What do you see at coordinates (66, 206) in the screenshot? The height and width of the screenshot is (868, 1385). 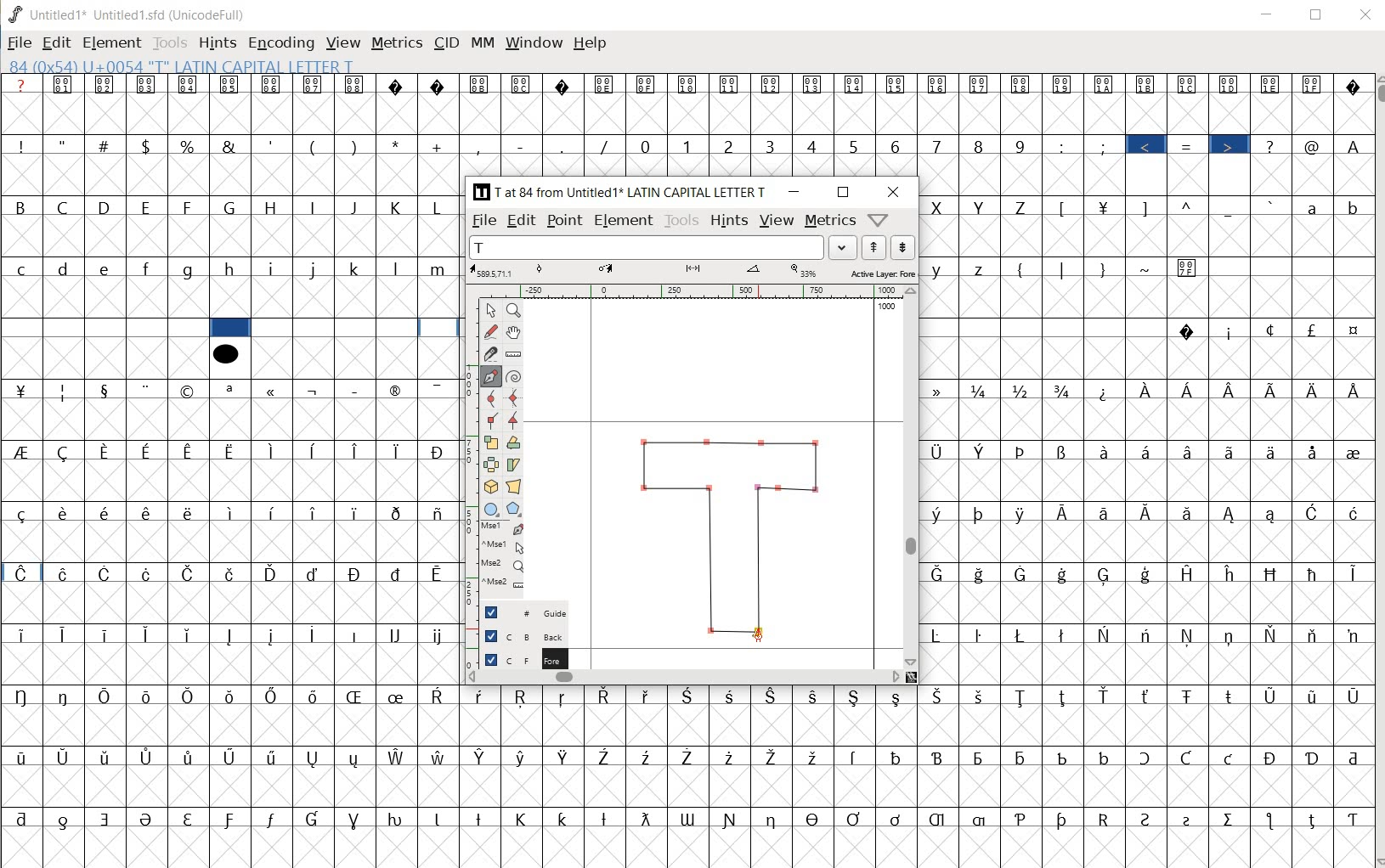 I see `C` at bounding box center [66, 206].